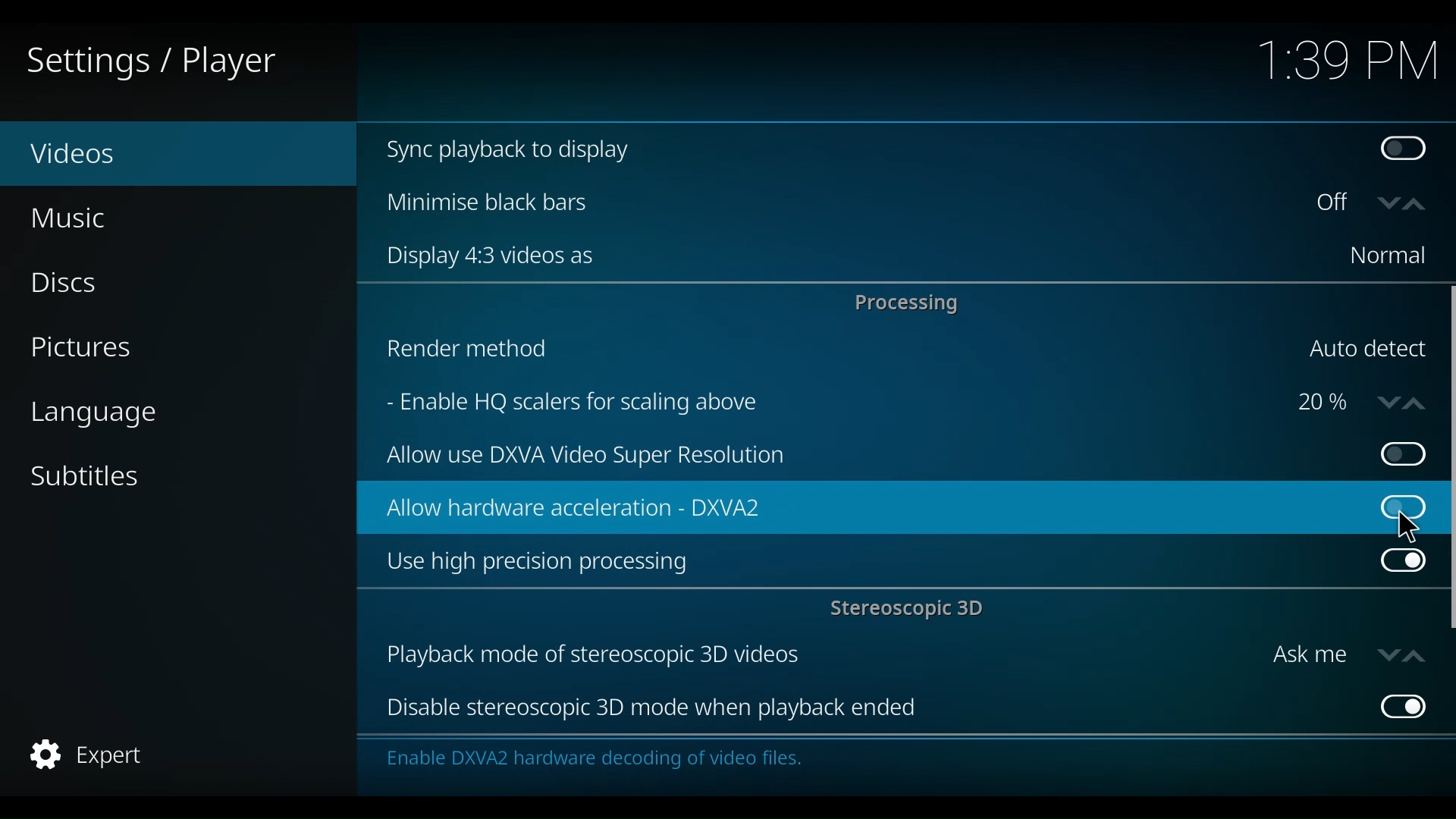 Image resolution: width=1456 pixels, height=819 pixels. Describe the element at coordinates (86, 350) in the screenshot. I see `Pictures` at that location.